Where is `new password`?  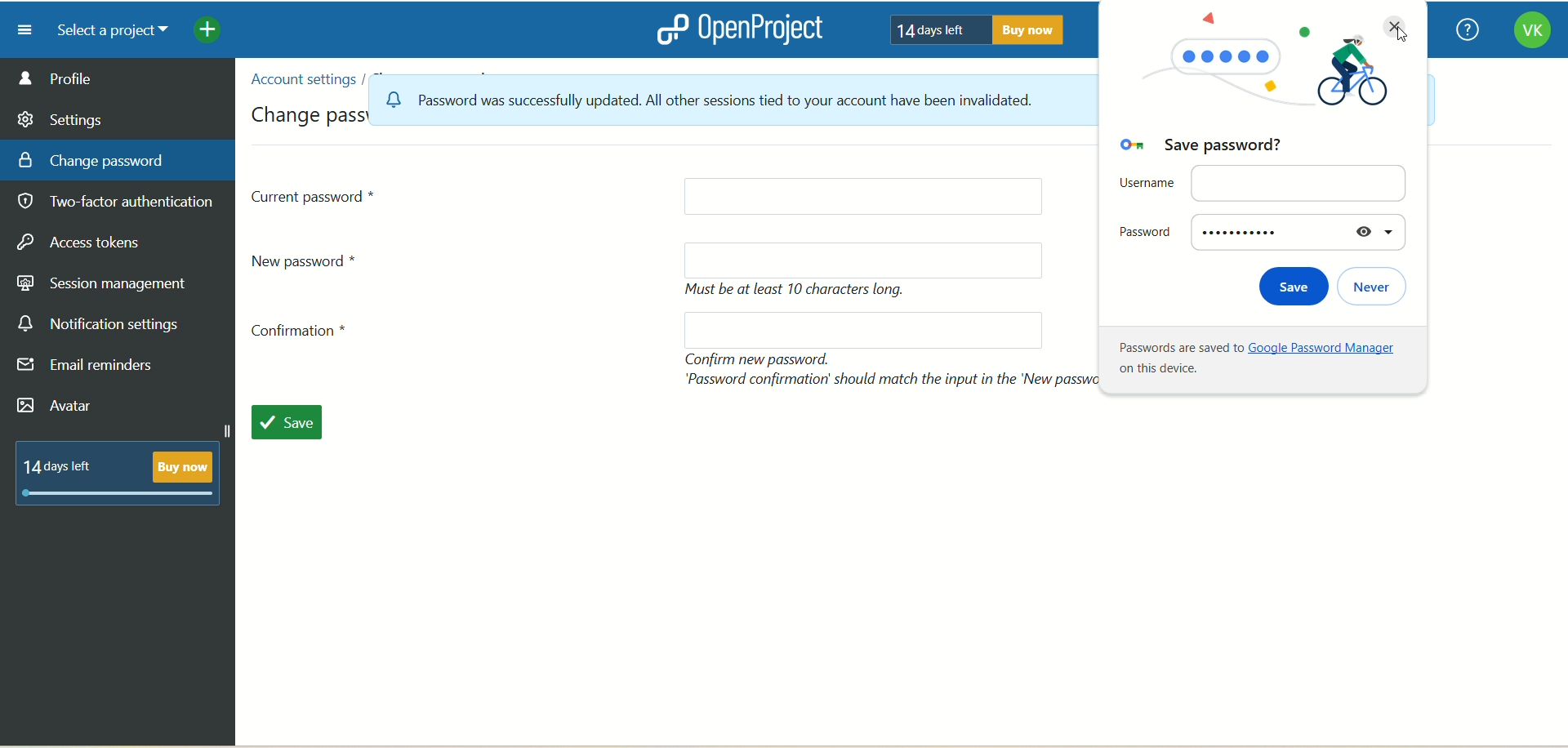 new password is located at coordinates (865, 330).